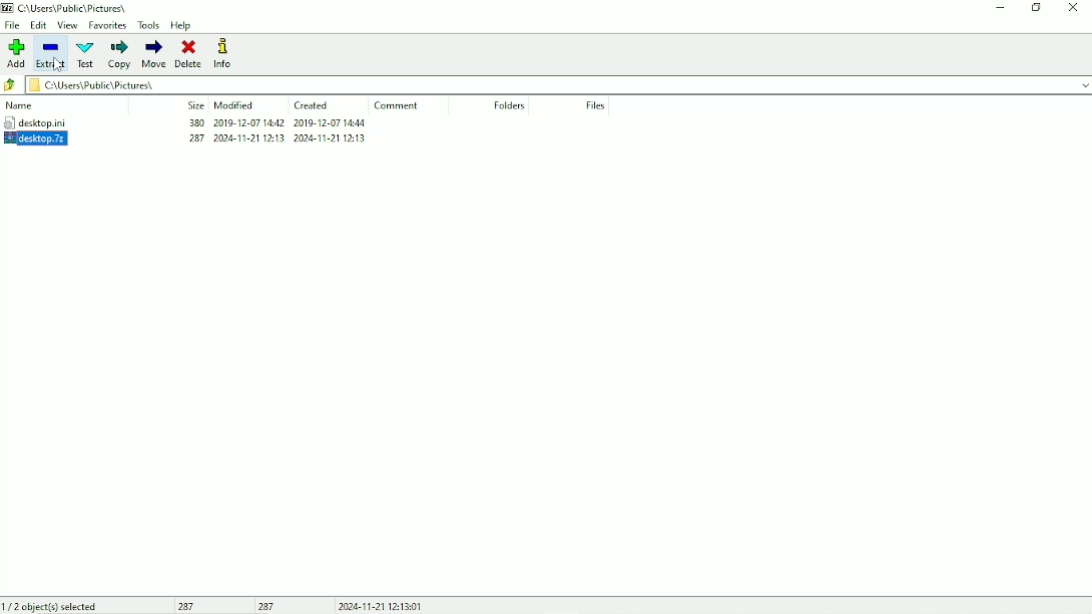  I want to click on Copy, so click(118, 54).